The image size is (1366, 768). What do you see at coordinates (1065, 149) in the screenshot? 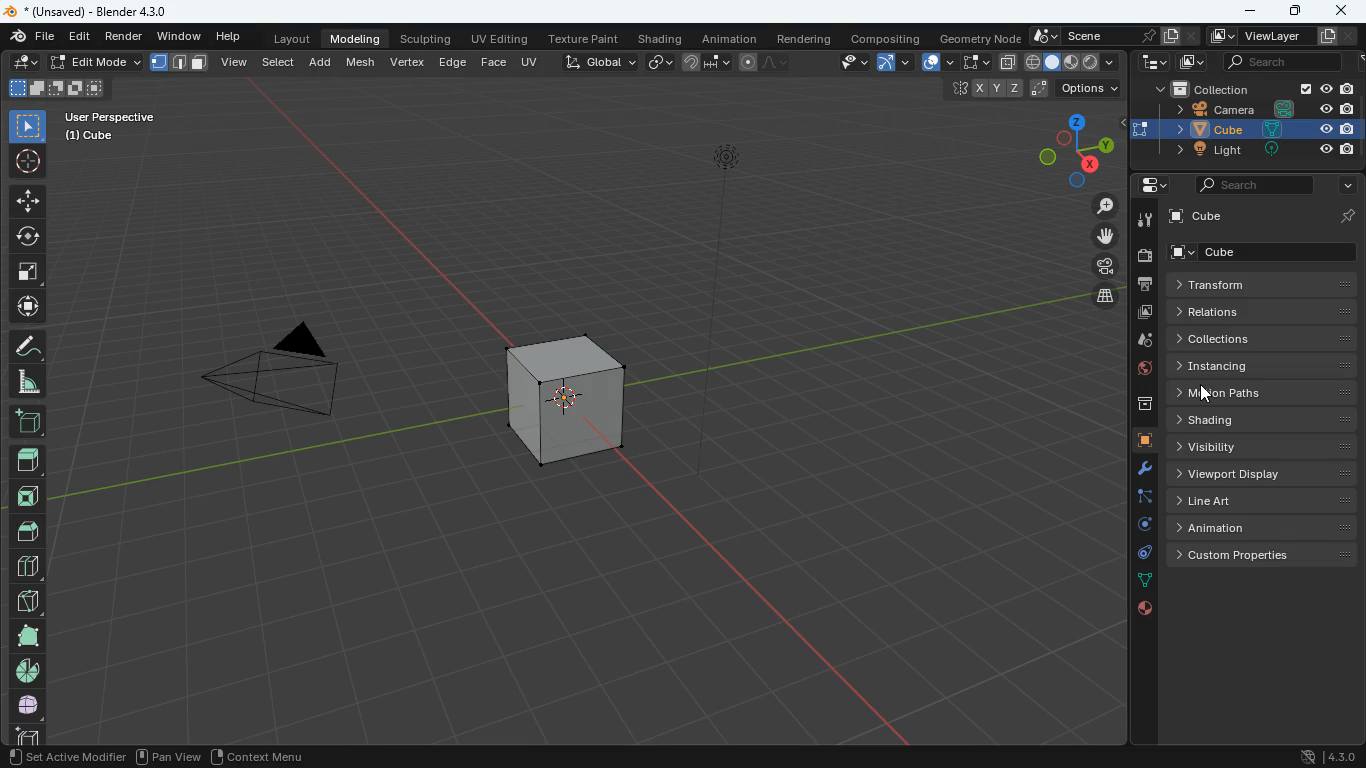
I see `dimension` at bounding box center [1065, 149].